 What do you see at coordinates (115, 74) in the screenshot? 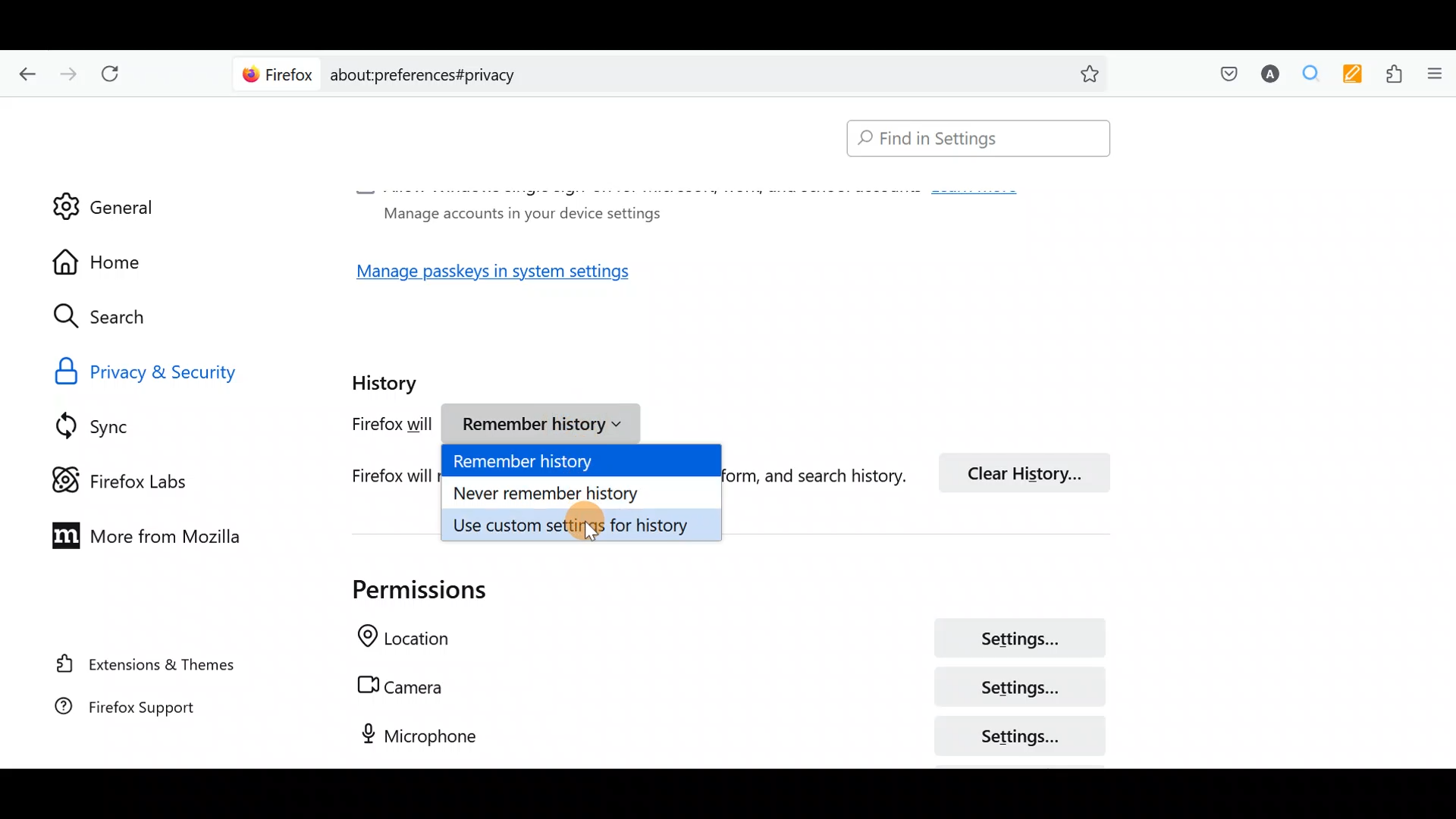
I see `Reload current page` at bounding box center [115, 74].